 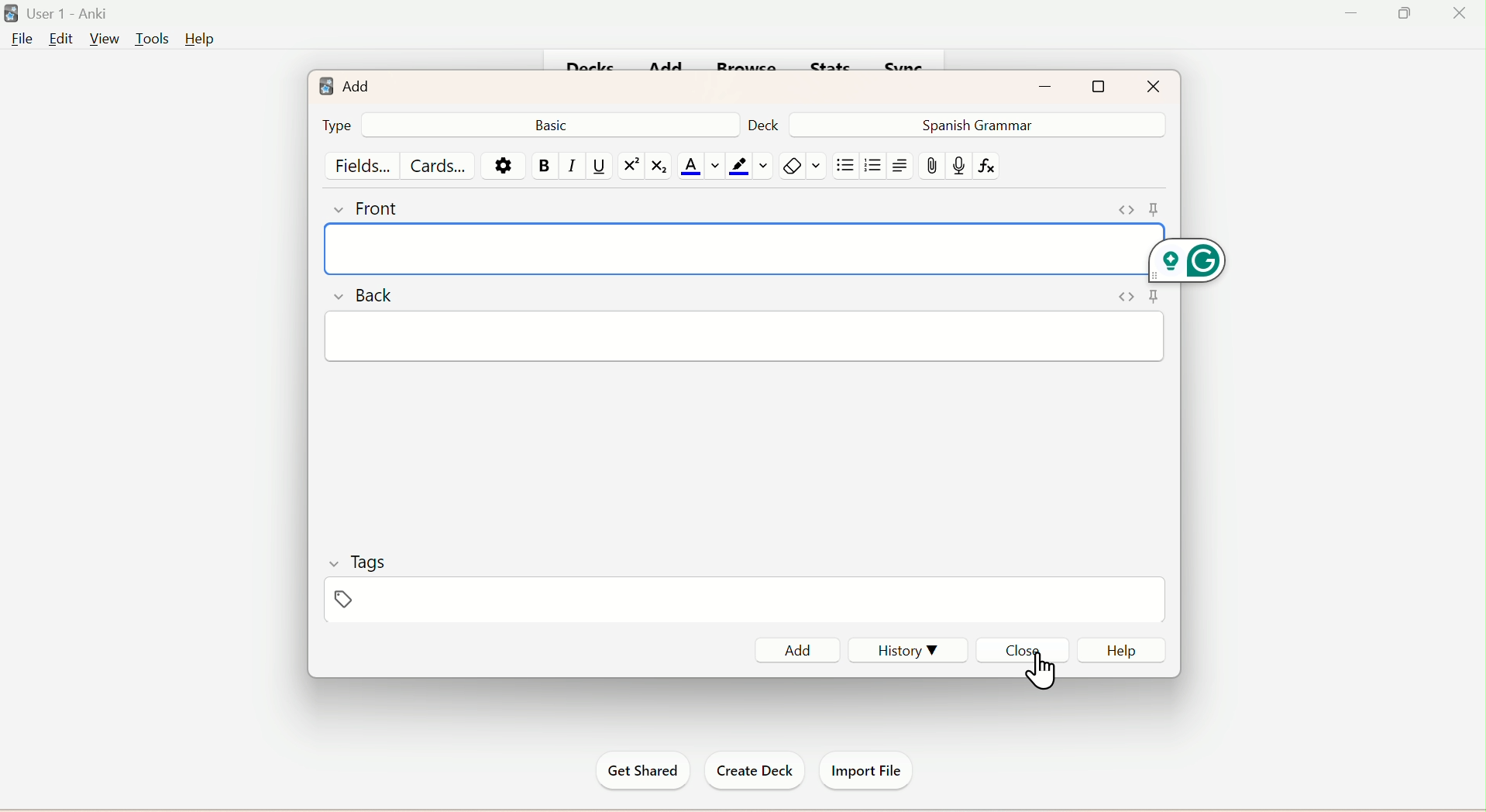 What do you see at coordinates (958, 168) in the screenshot?
I see `mic` at bounding box center [958, 168].